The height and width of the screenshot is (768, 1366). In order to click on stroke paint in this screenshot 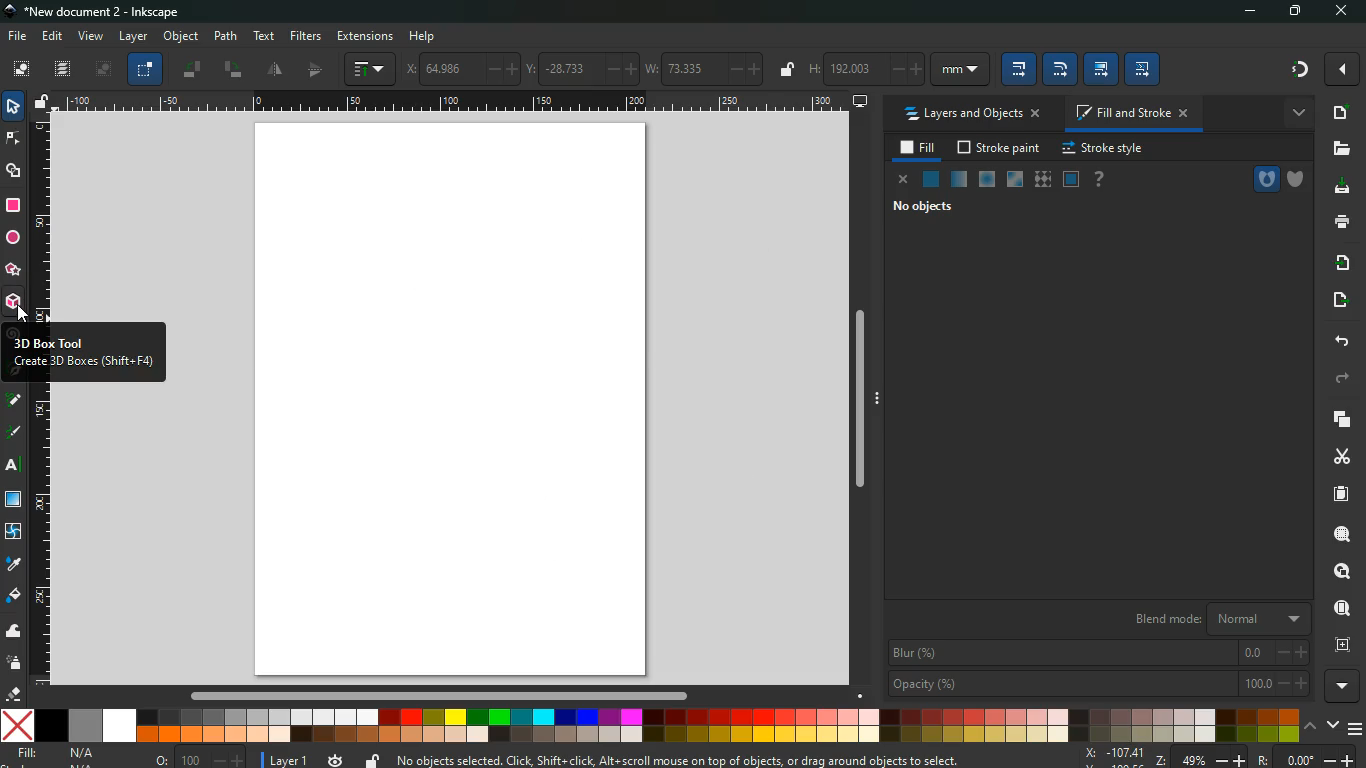, I will do `click(1000, 149)`.